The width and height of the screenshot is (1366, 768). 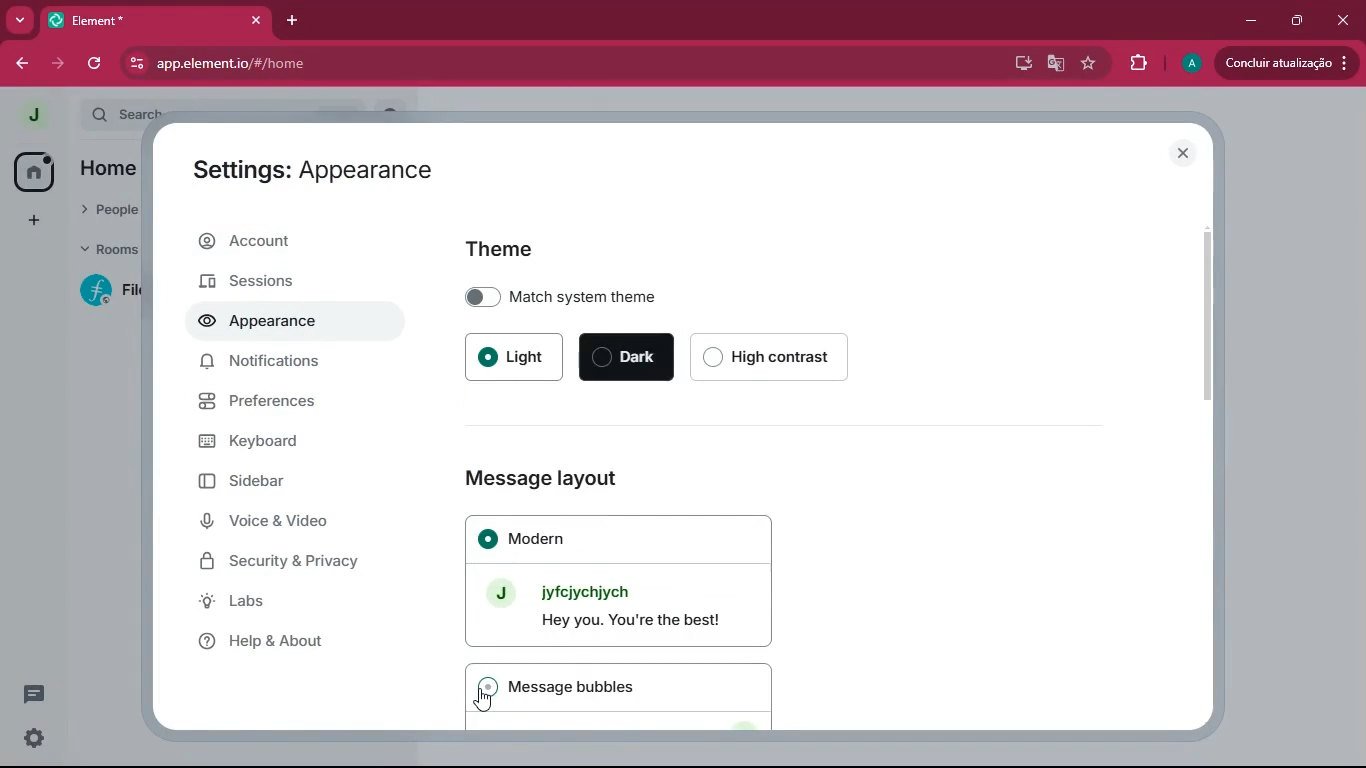 I want to click on rooms, so click(x=113, y=248).